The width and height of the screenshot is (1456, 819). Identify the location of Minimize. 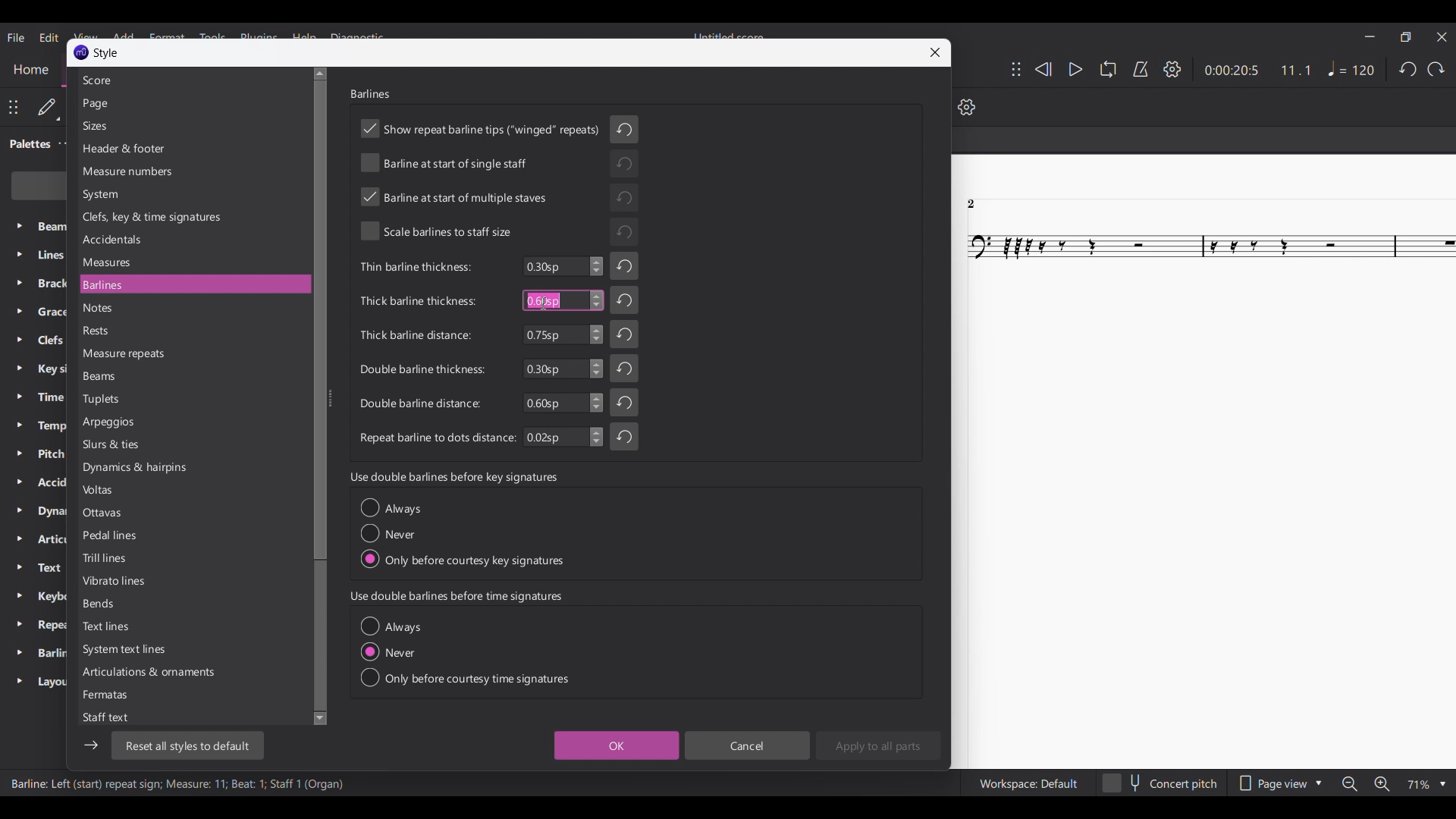
(1370, 36).